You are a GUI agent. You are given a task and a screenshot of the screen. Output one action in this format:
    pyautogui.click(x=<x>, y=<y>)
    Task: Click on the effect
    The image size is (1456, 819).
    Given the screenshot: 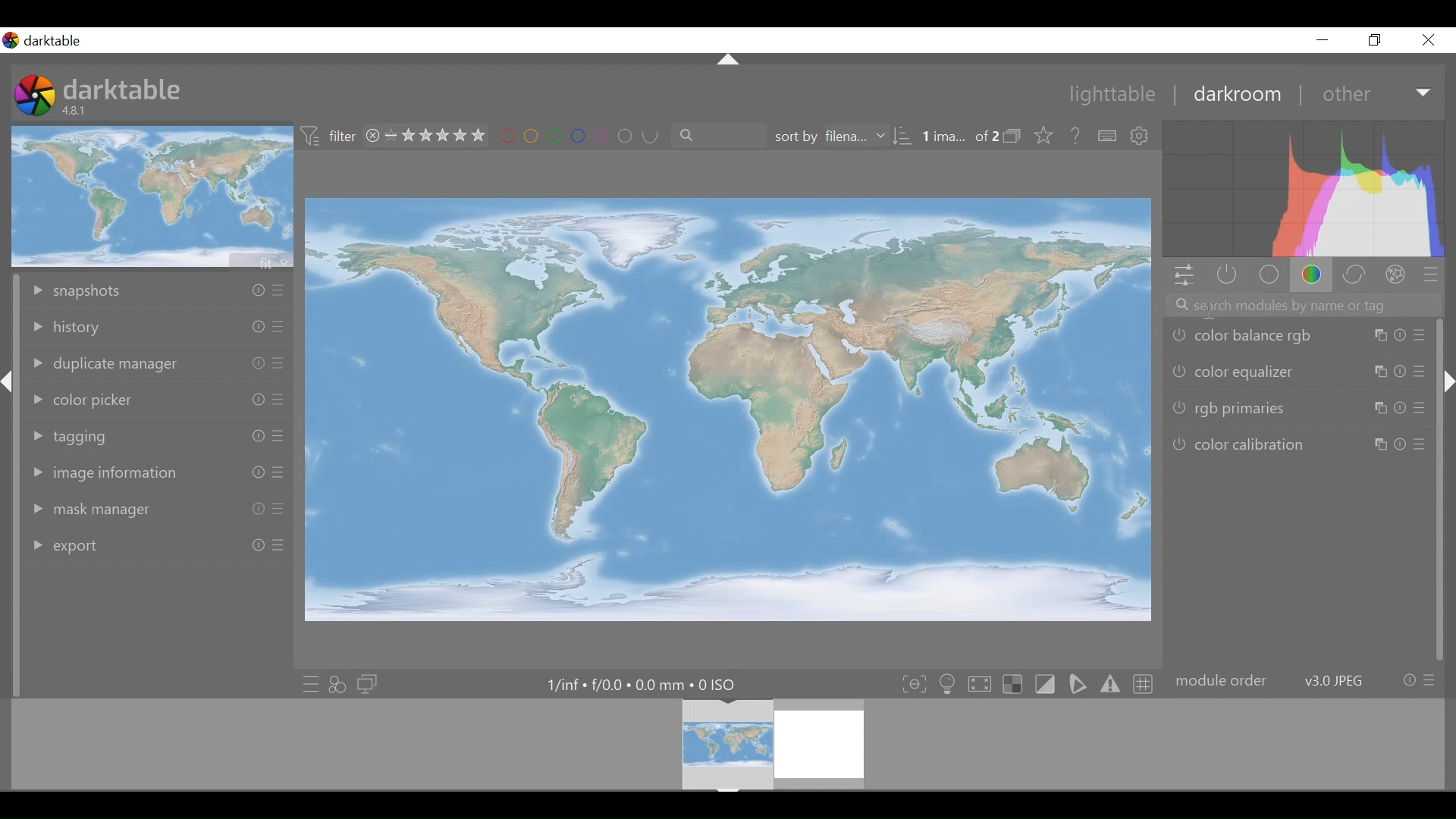 What is the action you would take?
    pyautogui.click(x=1395, y=273)
    